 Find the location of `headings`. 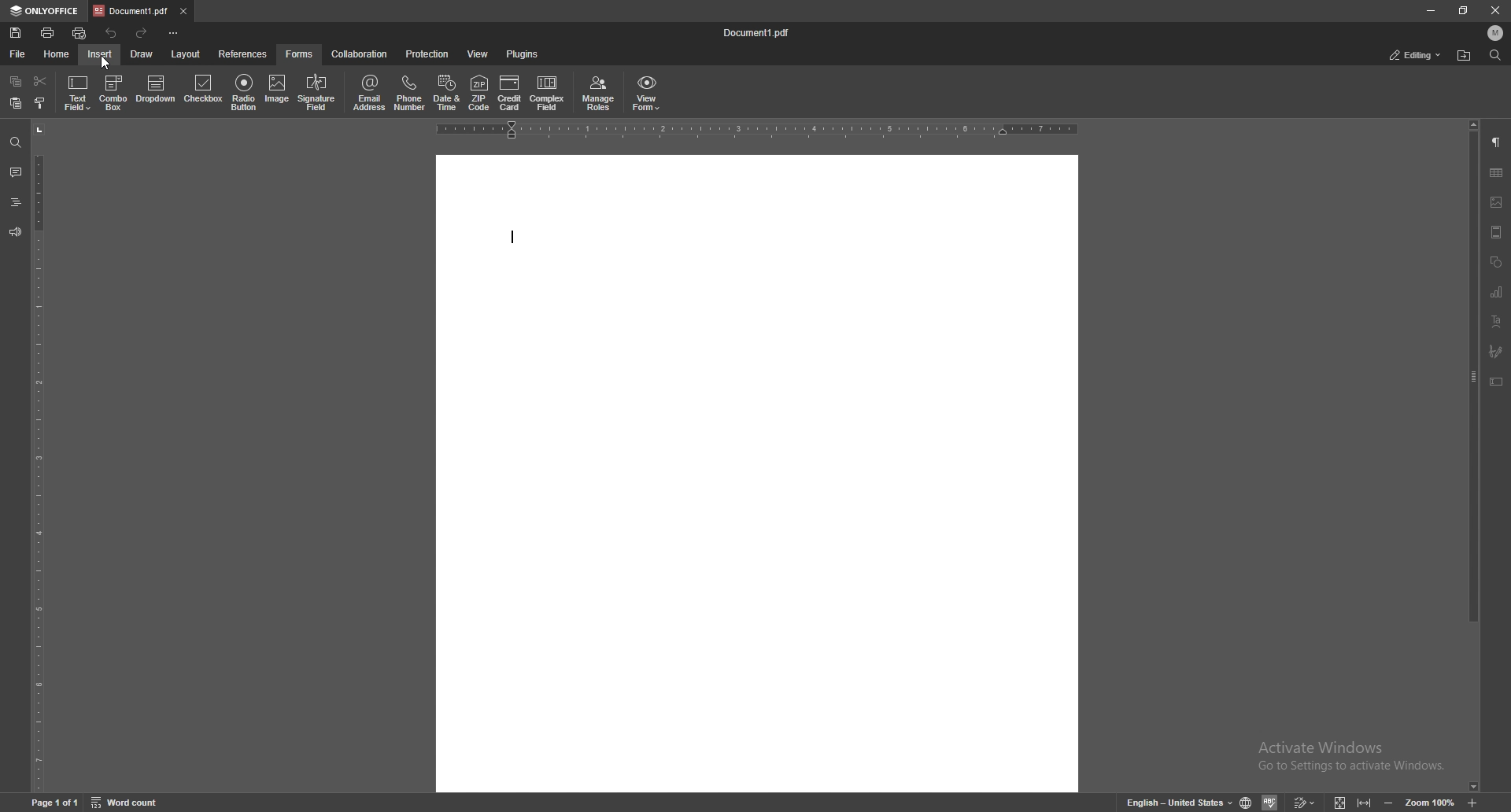

headings is located at coordinates (15, 202).